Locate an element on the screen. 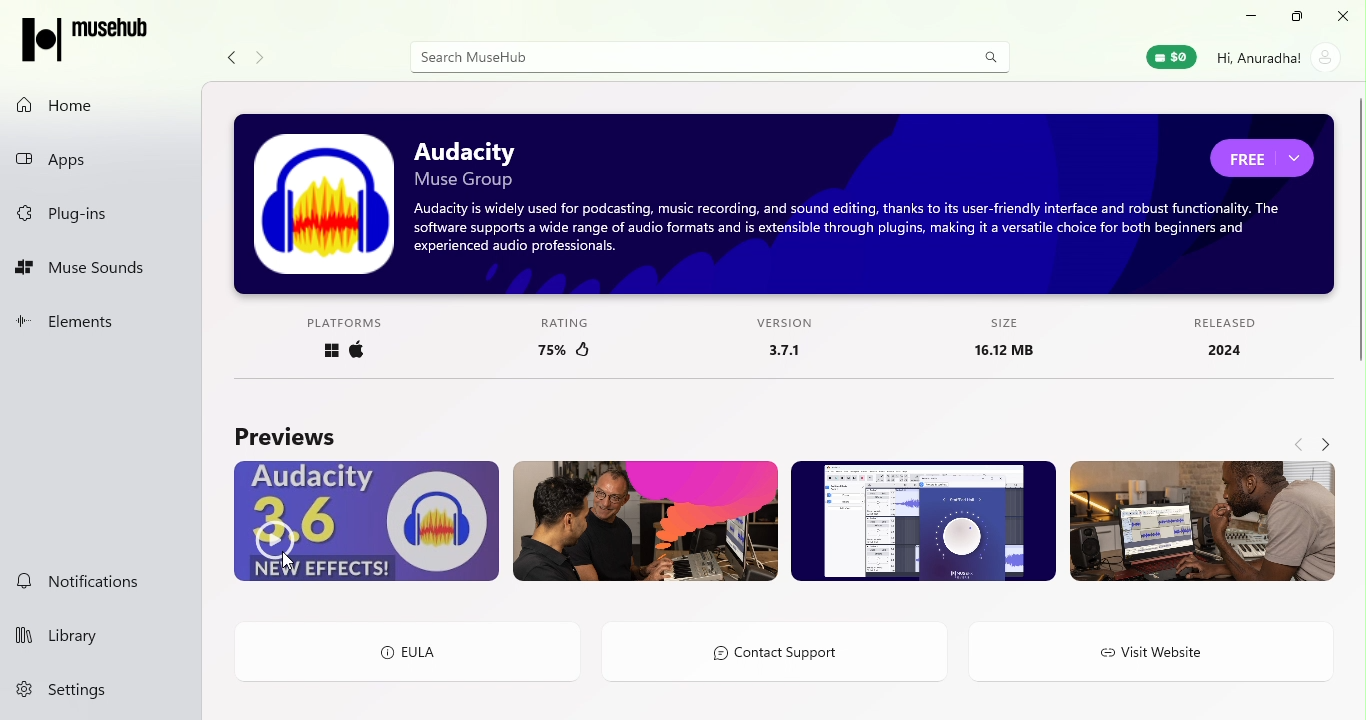 The height and width of the screenshot is (720, 1366). ad is located at coordinates (785, 203).